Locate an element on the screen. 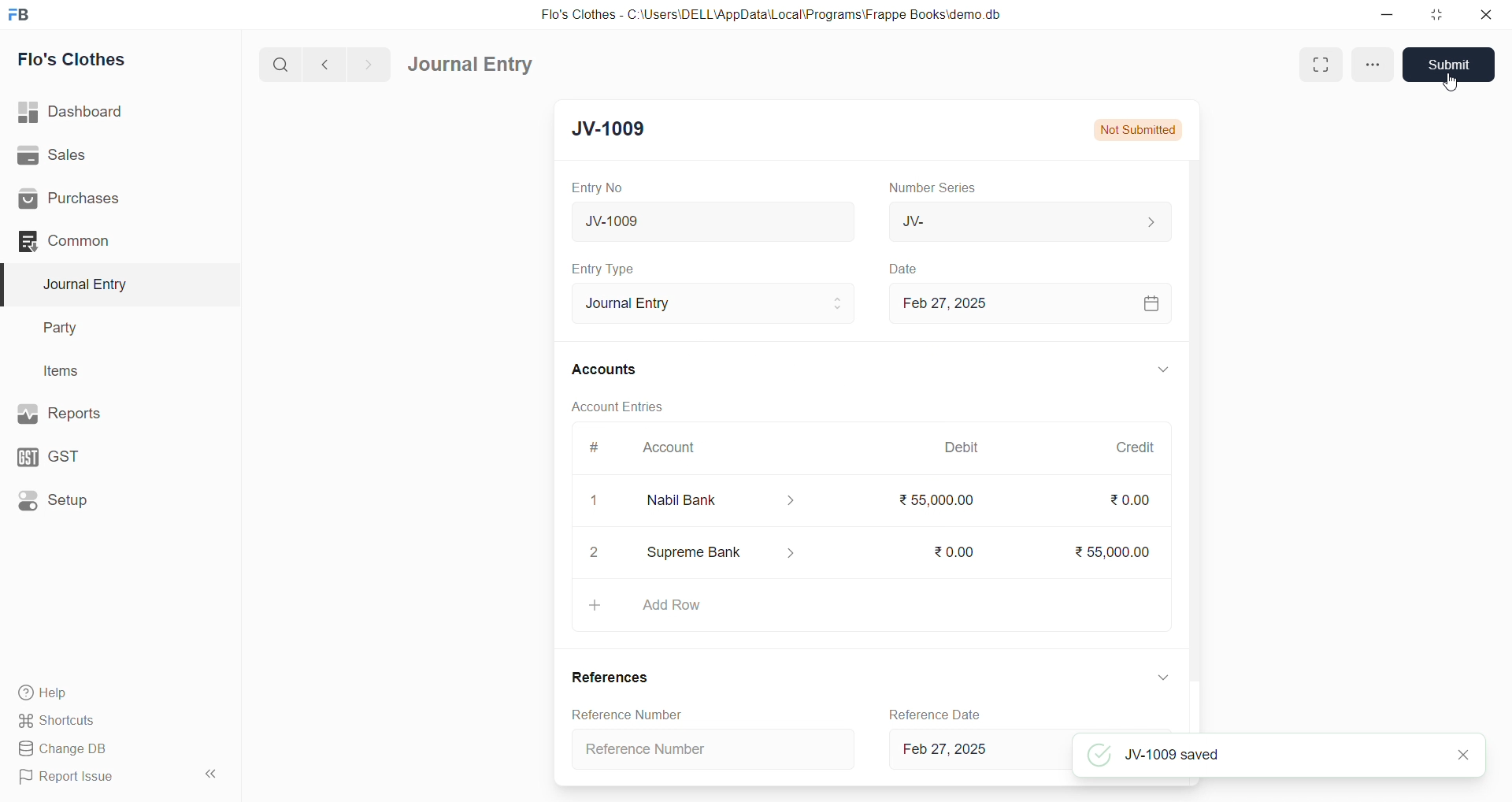 The image size is (1512, 802). CLOSE is located at coordinates (1464, 756).